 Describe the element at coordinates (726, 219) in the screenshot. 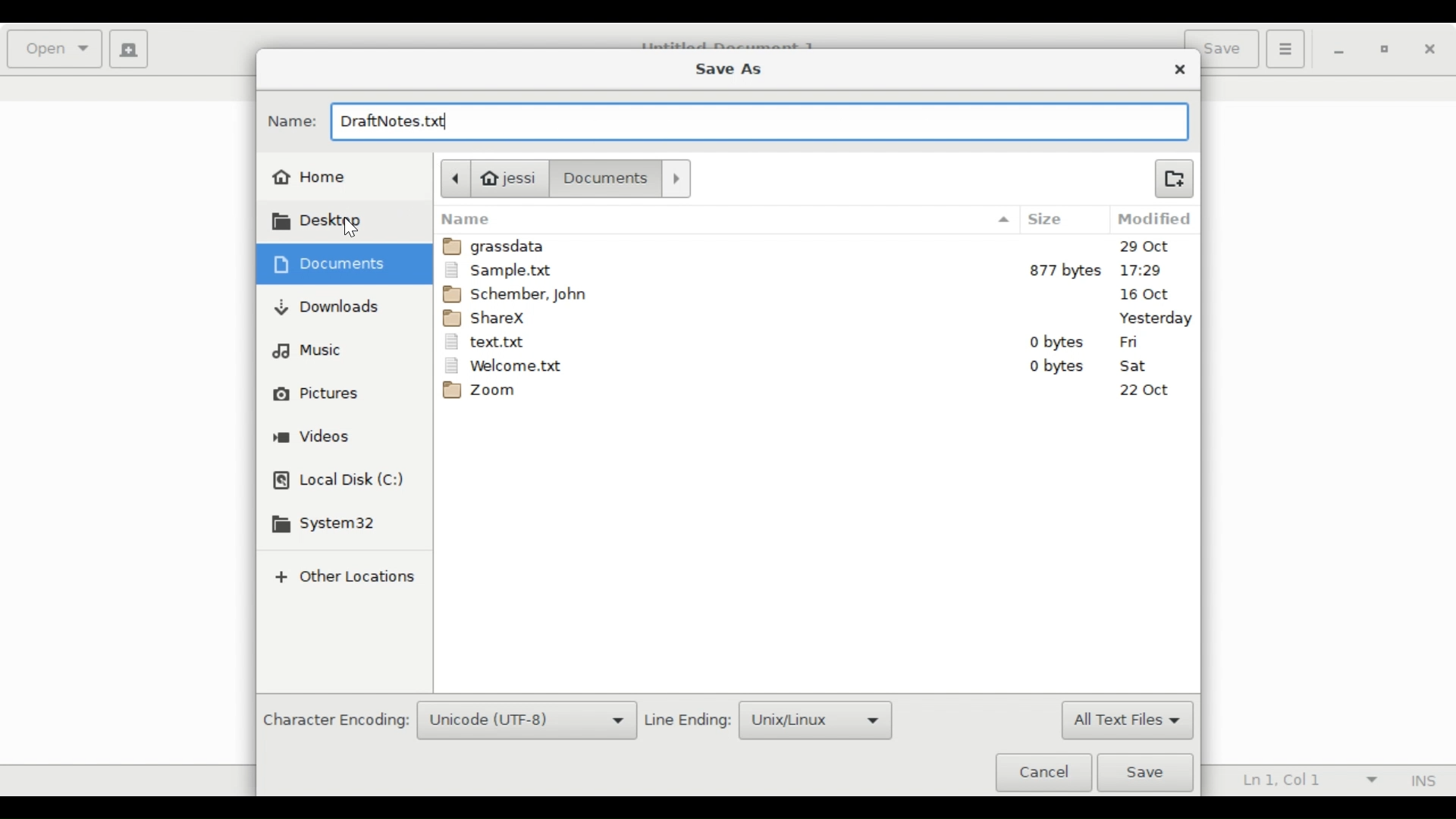

I see `Name` at that location.